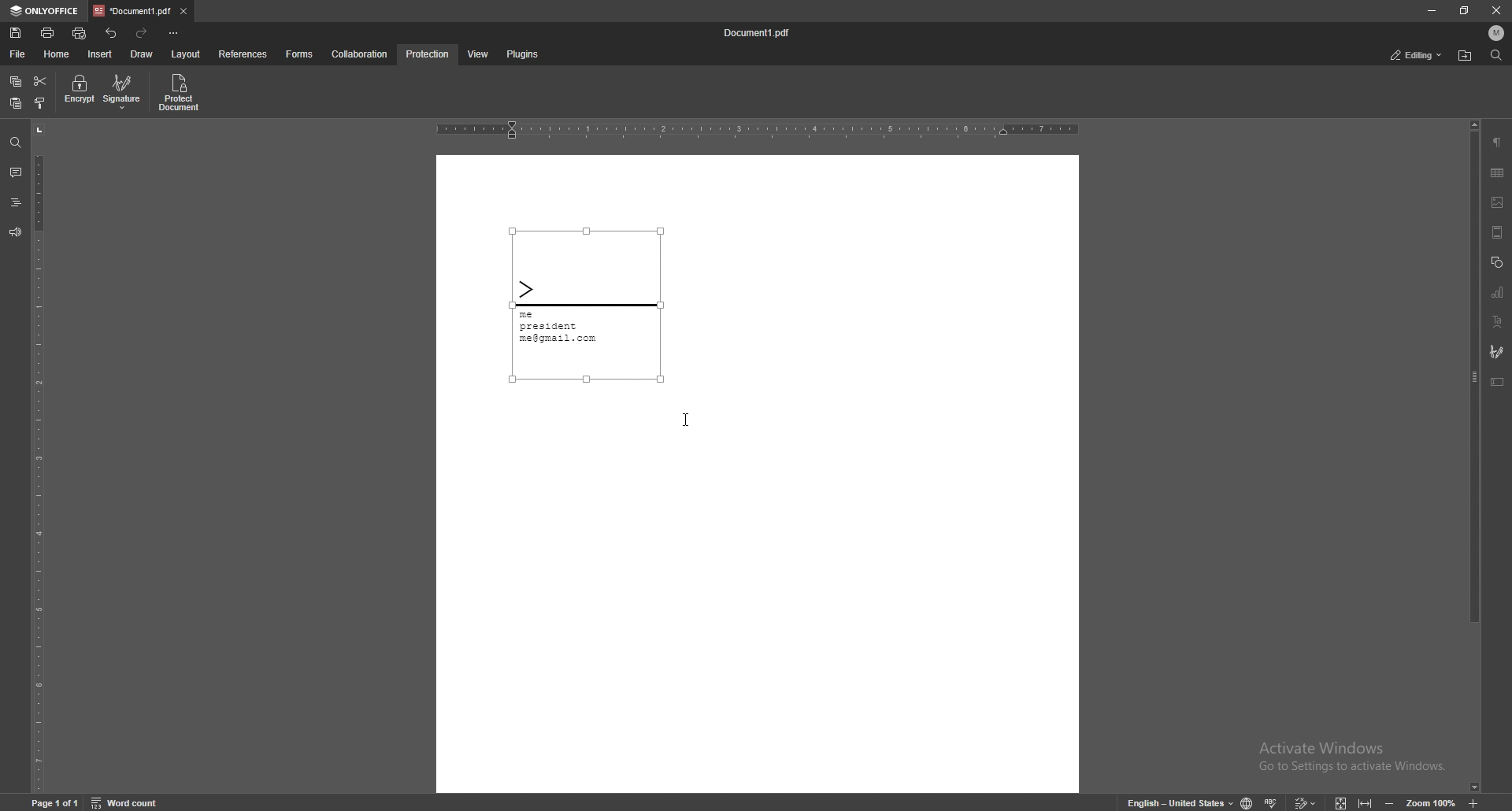 The image size is (1512, 811). What do you see at coordinates (41, 103) in the screenshot?
I see `copy style` at bounding box center [41, 103].